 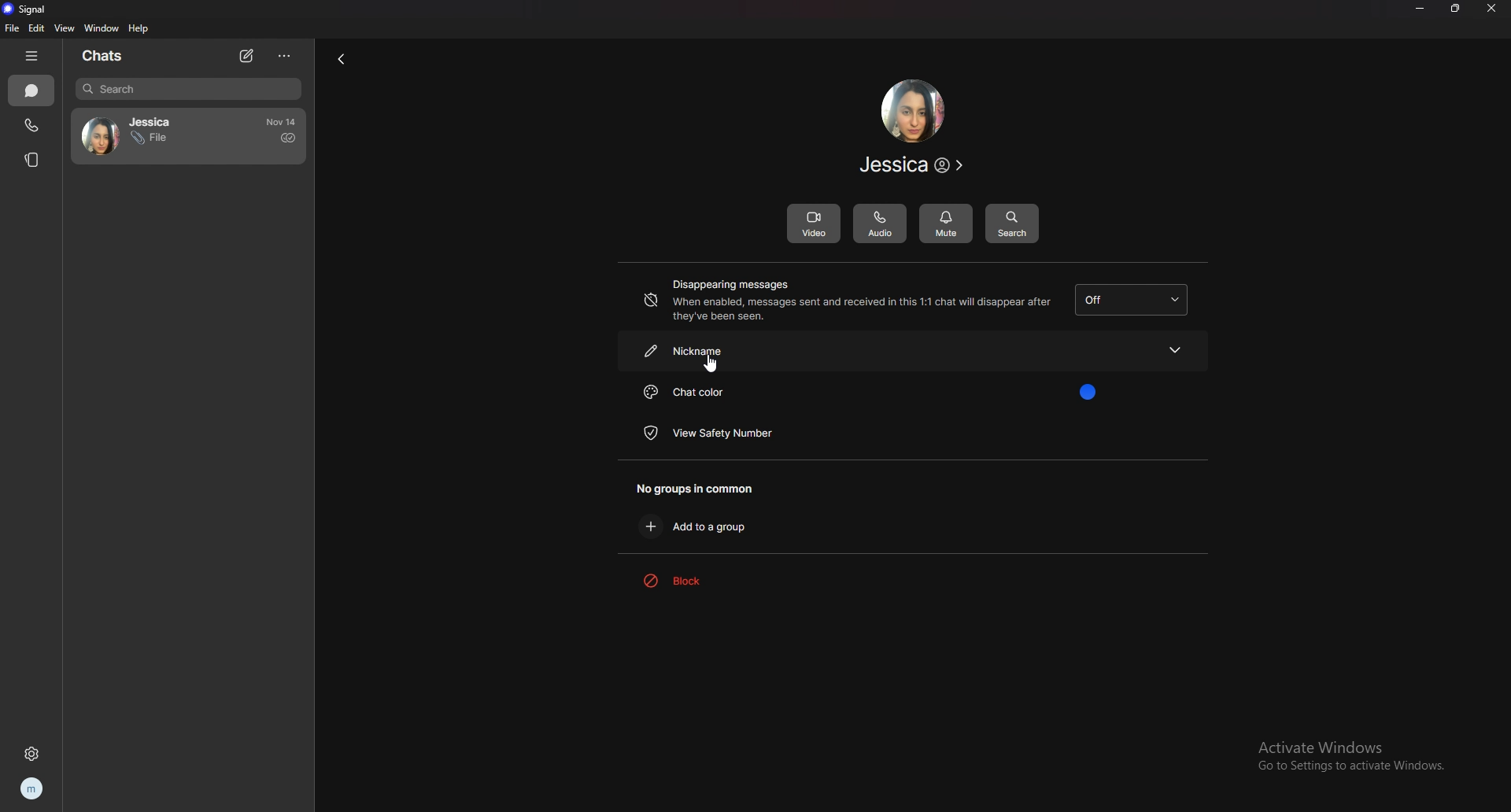 I want to click on options, so click(x=287, y=55).